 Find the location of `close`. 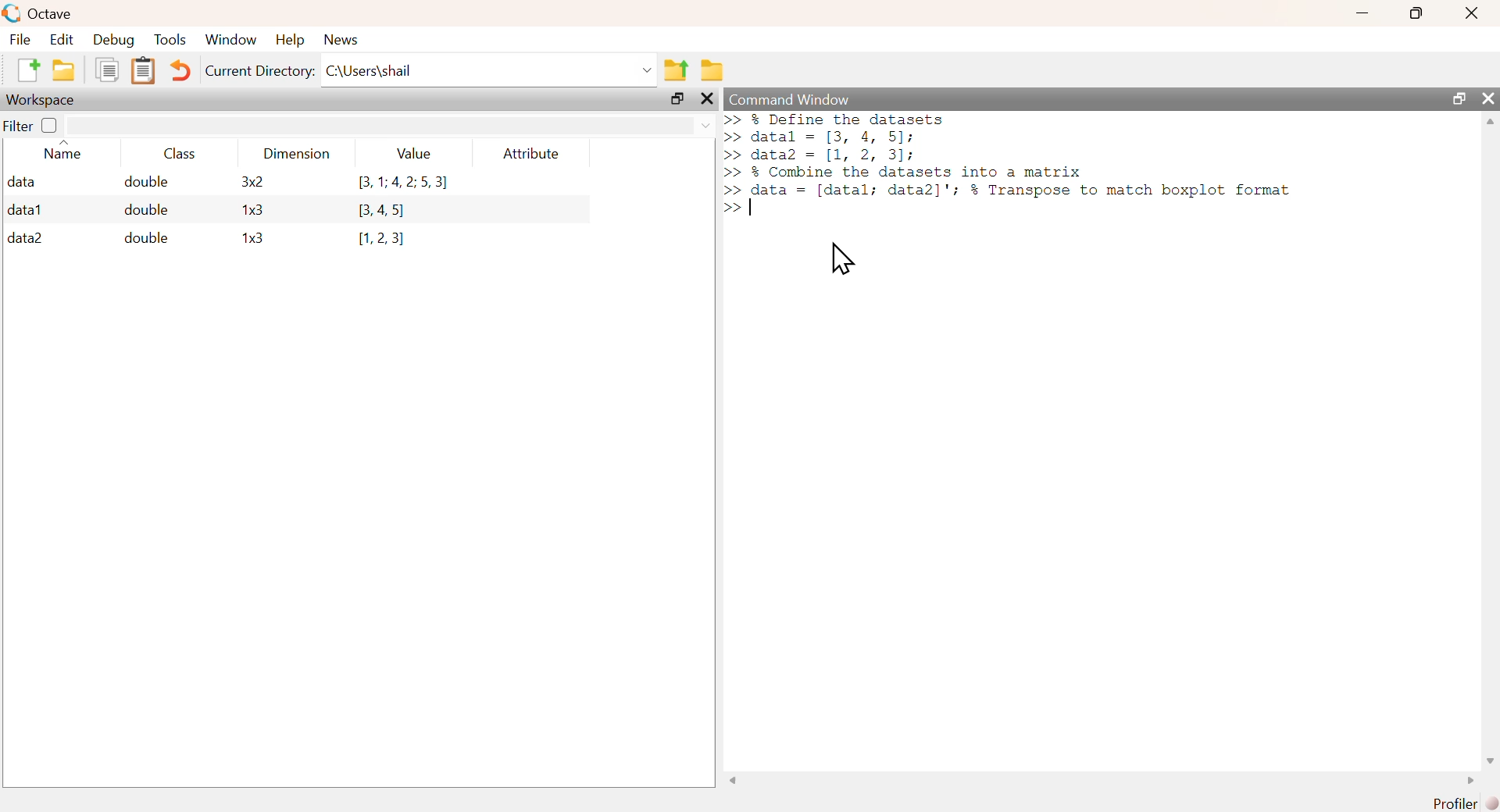

close is located at coordinates (1472, 13).